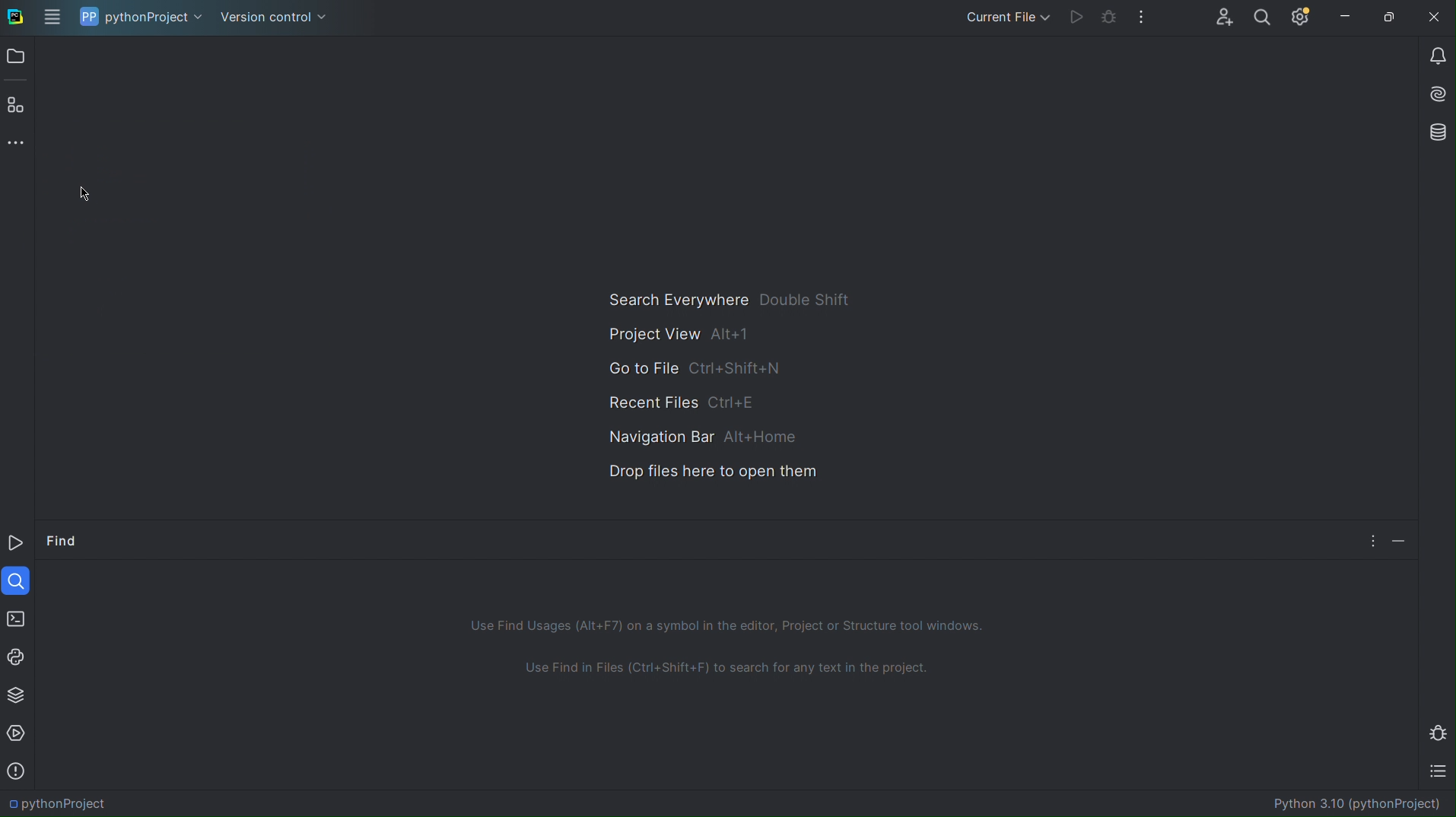  What do you see at coordinates (1397, 539) in the screenshot?
I see `Minimize` at bounding box center [1397, 539].